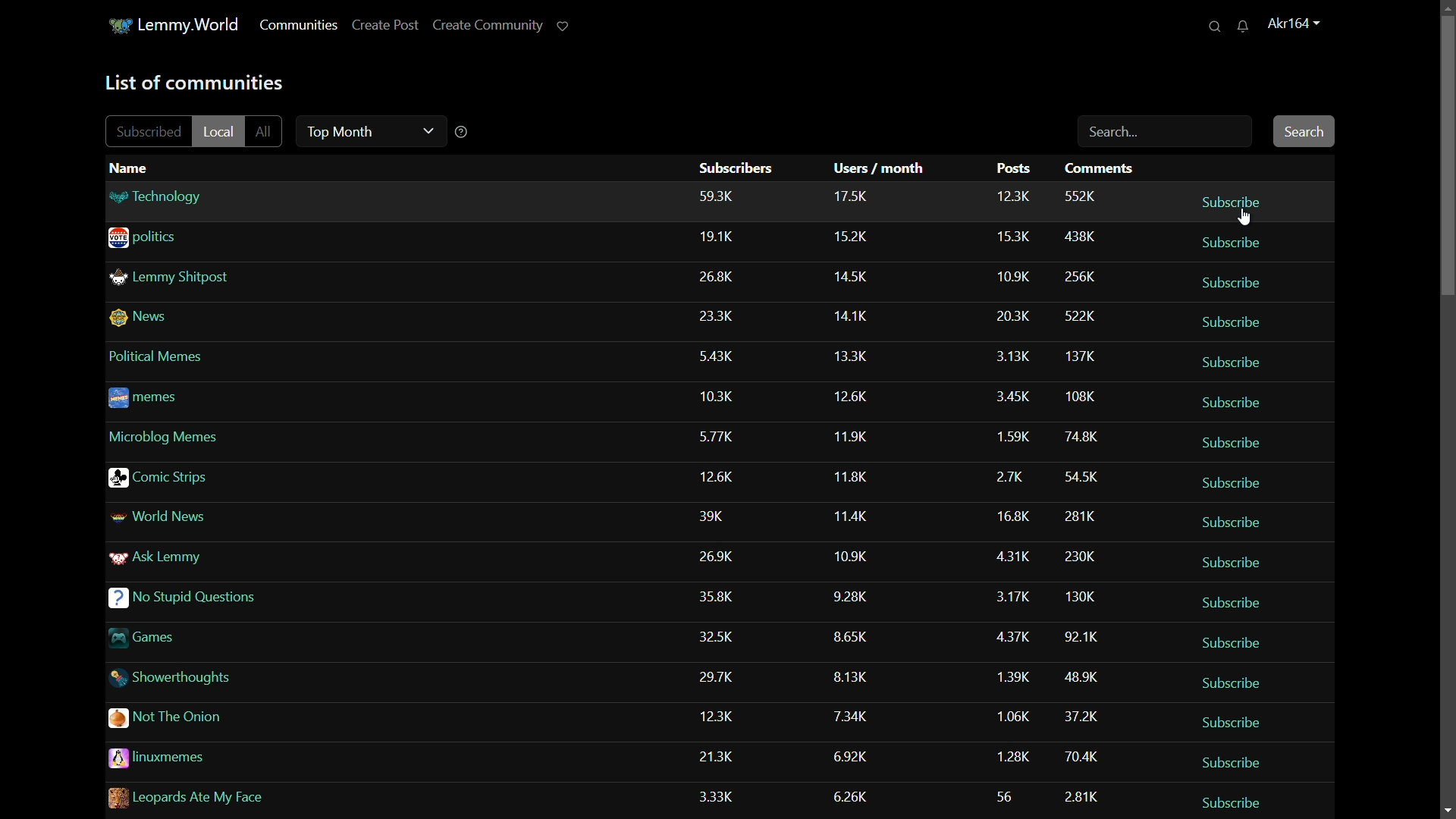  What do you see at coordinates (721, 638) in the screenshot?
I see `subscribers` at bounding box center [721, 638].